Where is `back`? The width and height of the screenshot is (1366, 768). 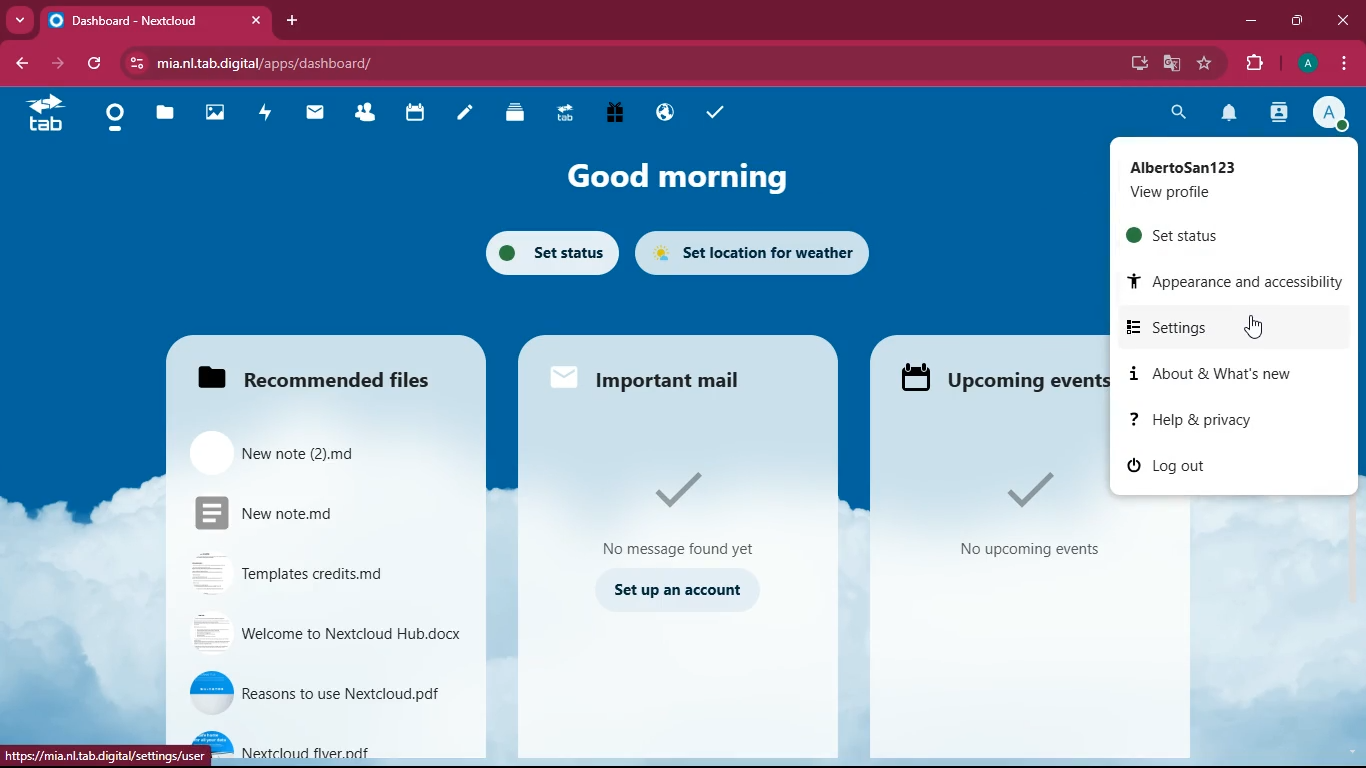 back is located at coordinates (22, 63).